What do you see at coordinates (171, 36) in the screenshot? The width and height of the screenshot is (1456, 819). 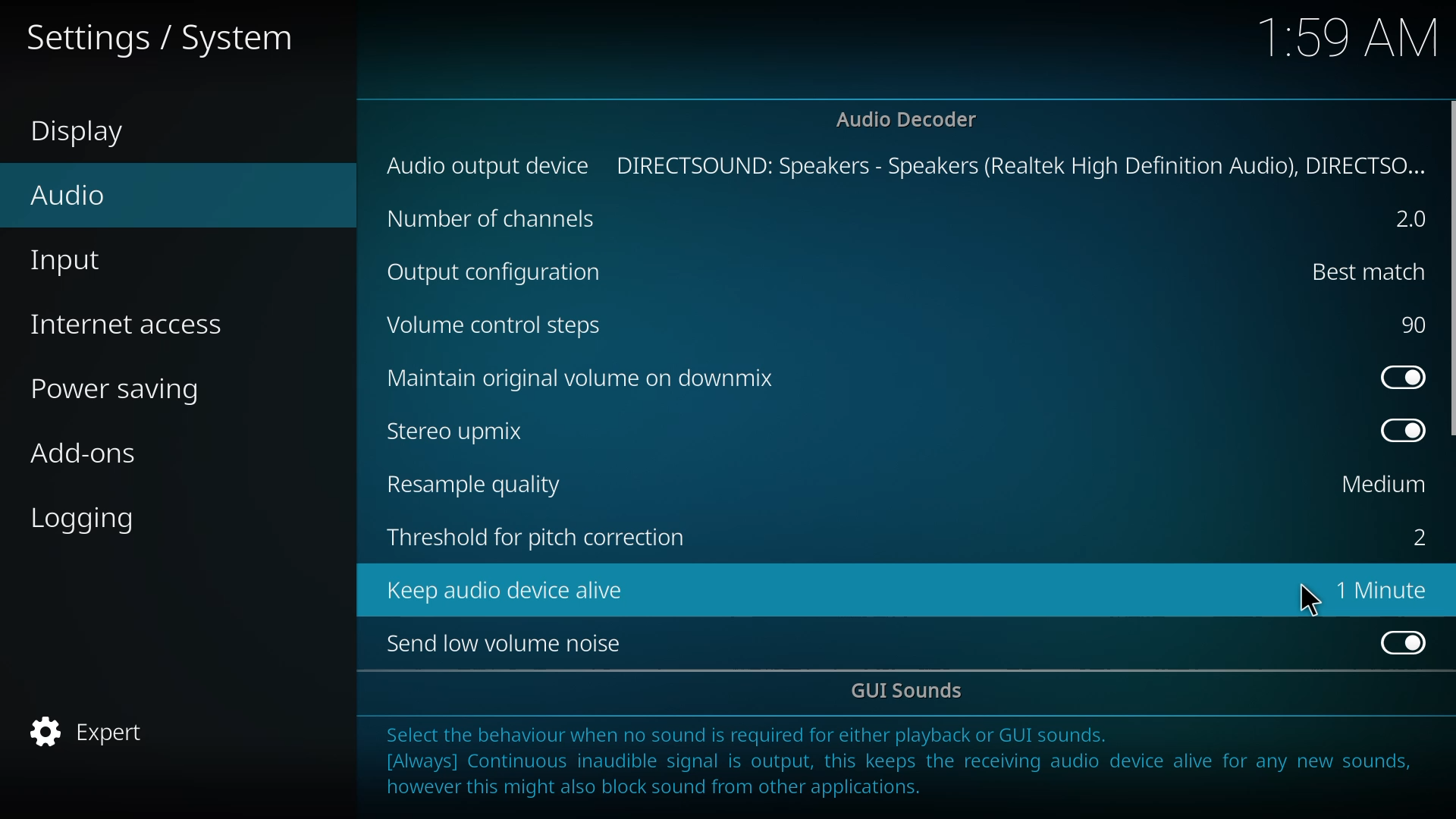 I see `settings system` at bounding box center [171, 36].